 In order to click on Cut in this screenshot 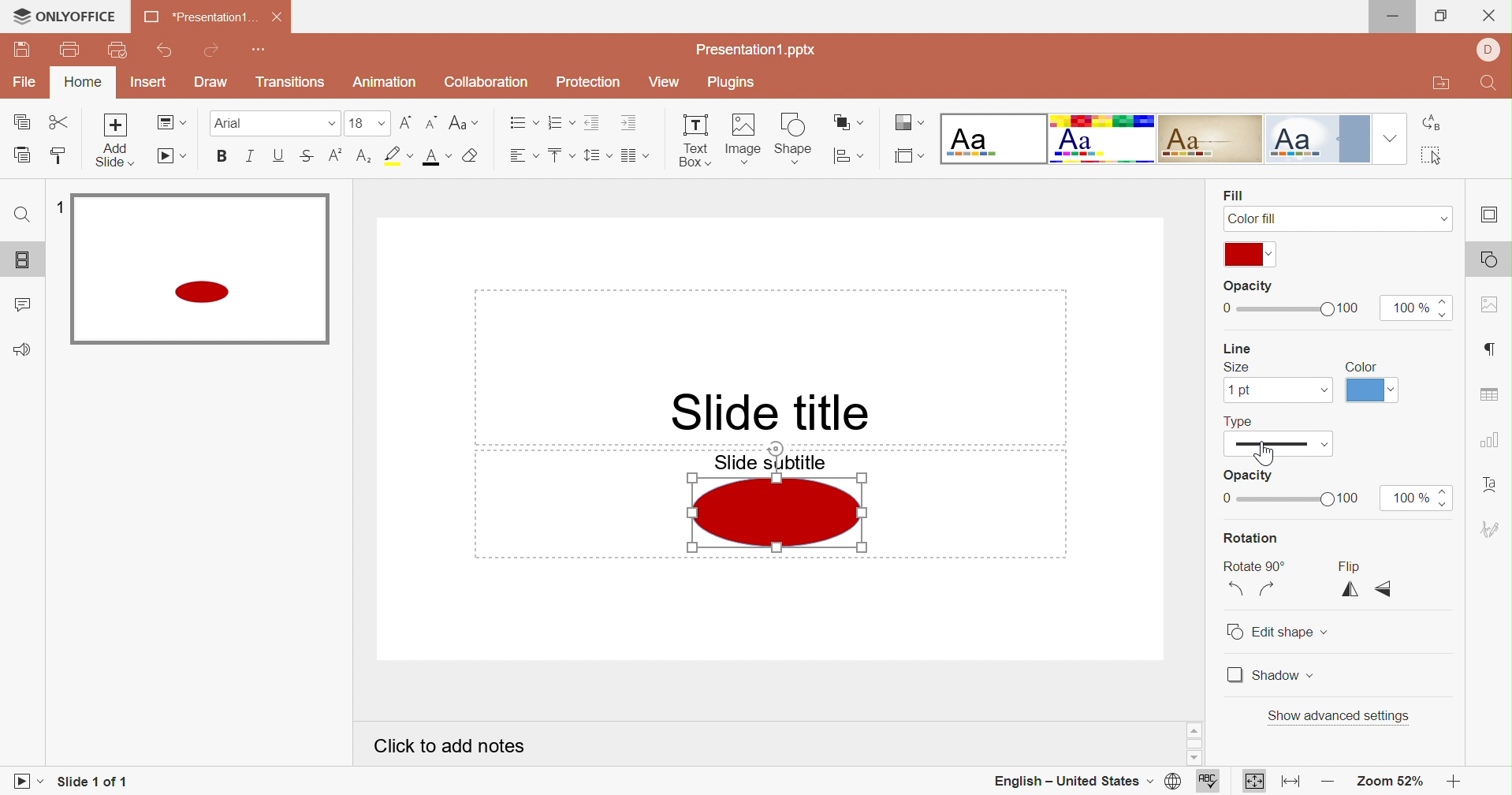, I will do `click(58, 121)`.